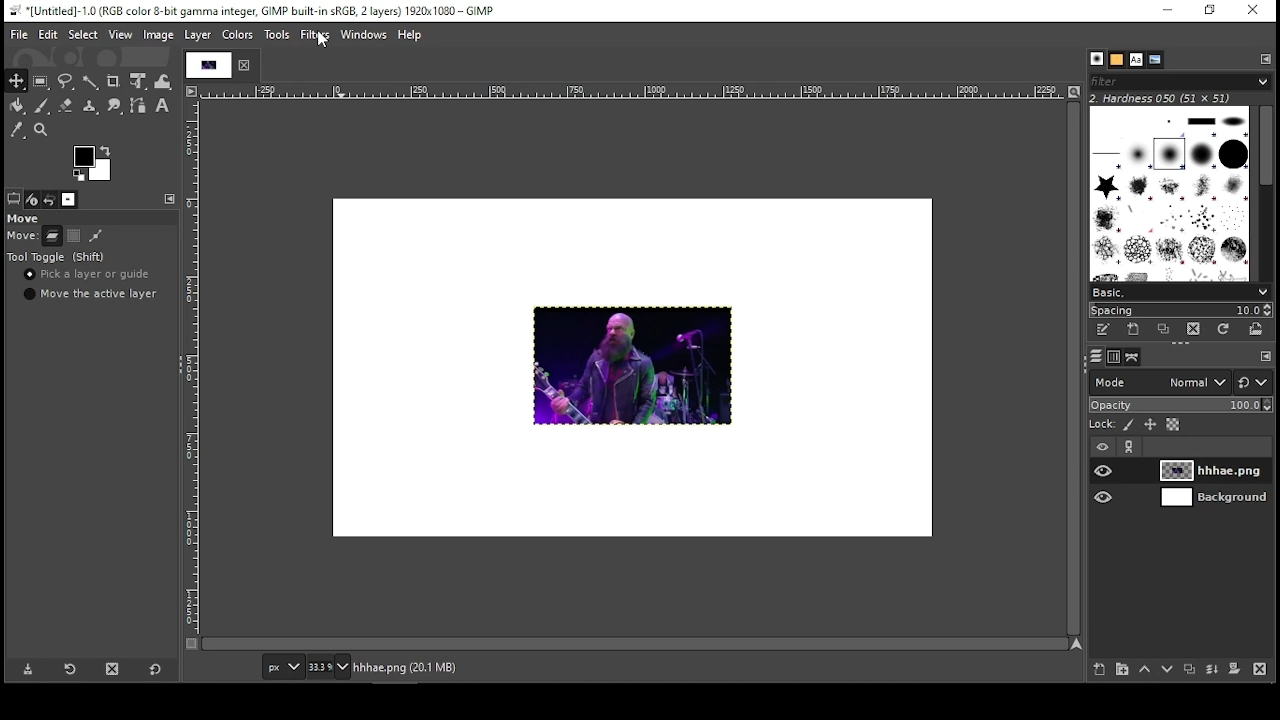  I want to click on free selection tool, so click(65, 81).